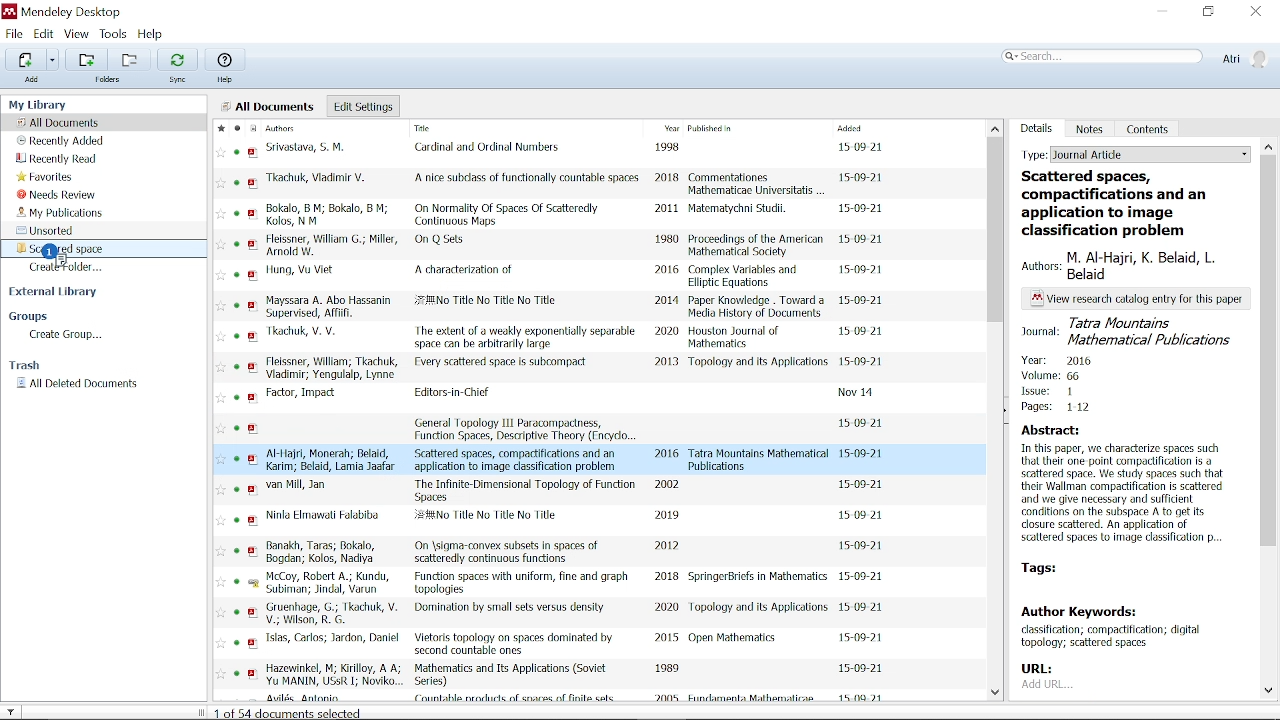  What do you see at coordinates (1126, 488) in the screenshot?
I see `abstract` at bounding box center [1126, 488].